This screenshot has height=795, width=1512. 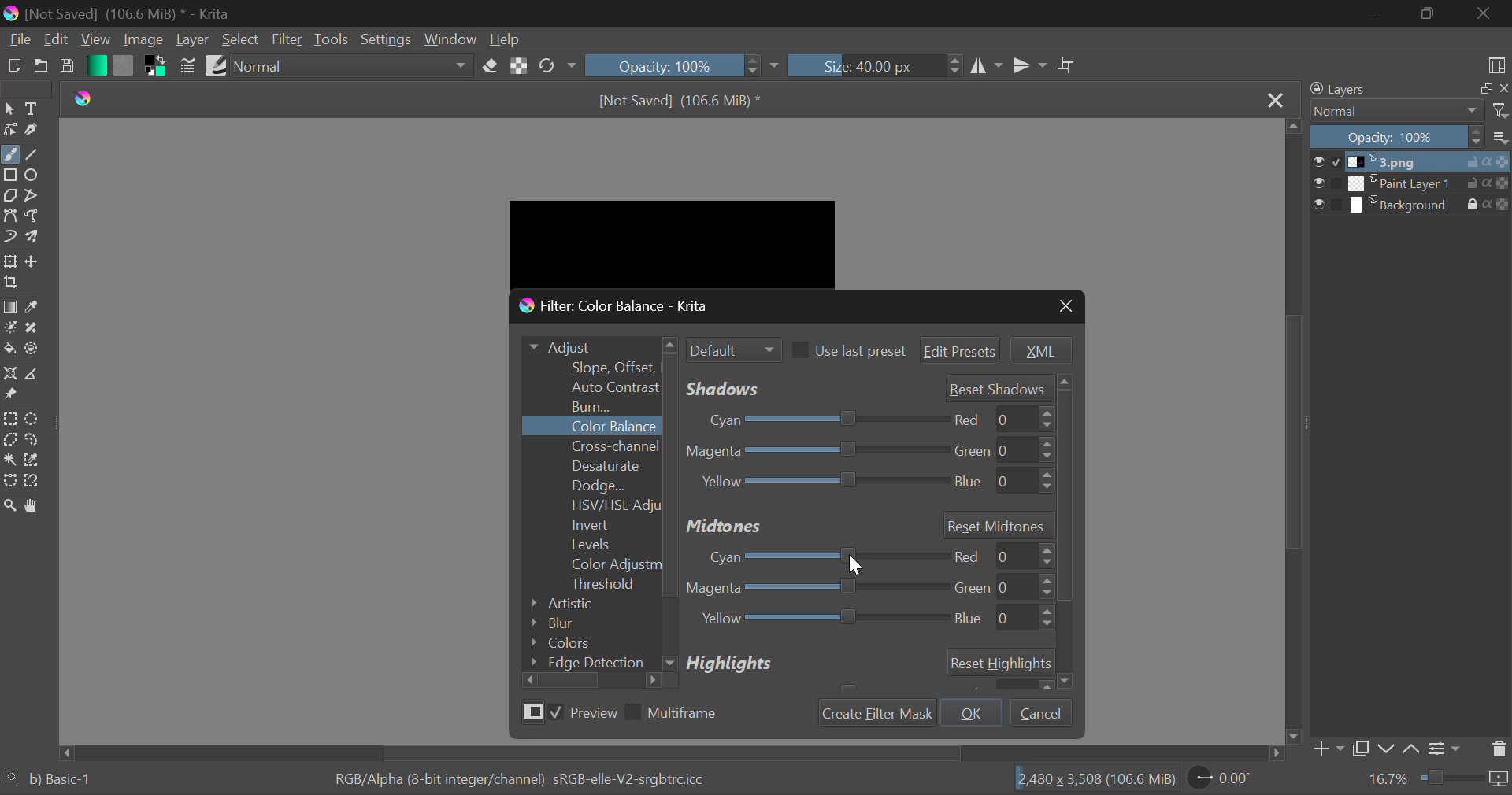 What do you see at coordinates (813, 590) in the screenshot?
I see `Magenta-Green Adjustment Slider ` at bounding box center [813, 590].